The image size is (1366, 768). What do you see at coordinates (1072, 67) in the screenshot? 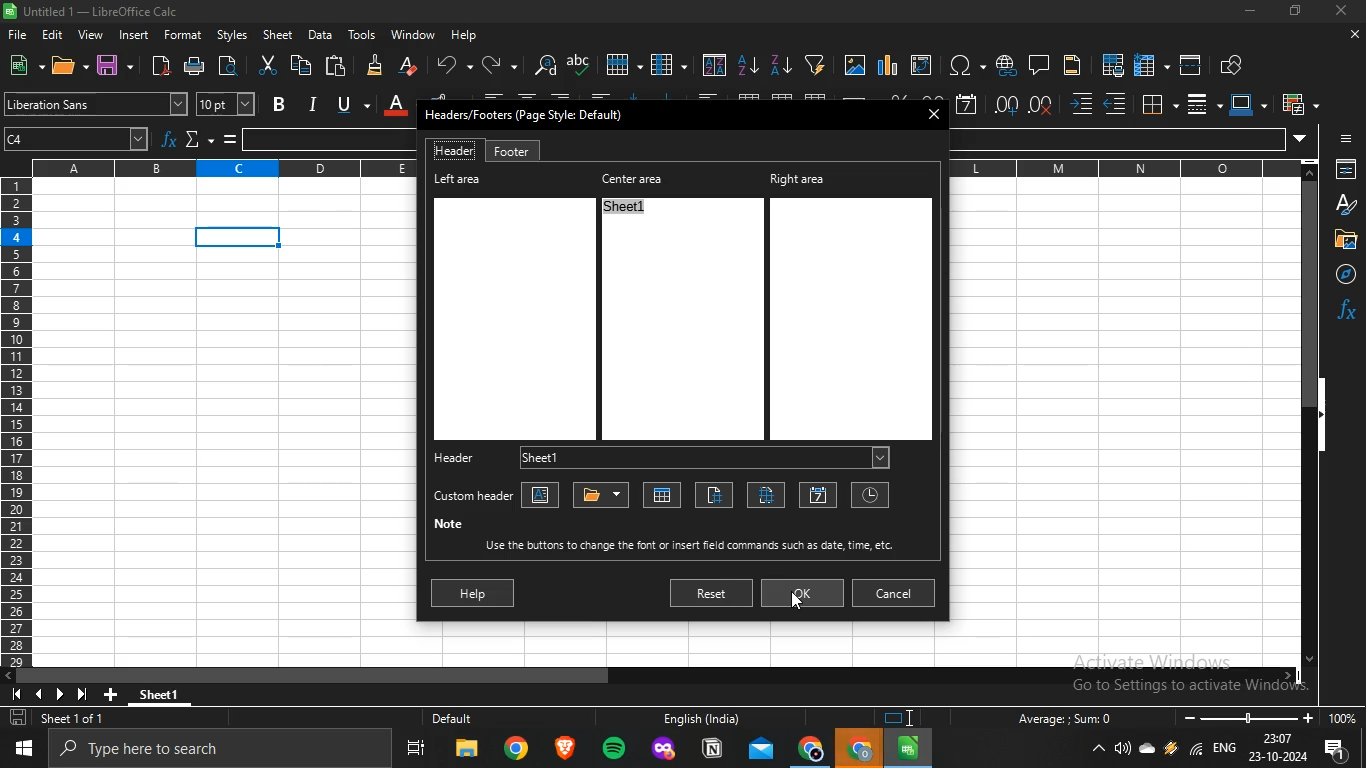
I see `headers and footers` at bounding box center [1072, 67].